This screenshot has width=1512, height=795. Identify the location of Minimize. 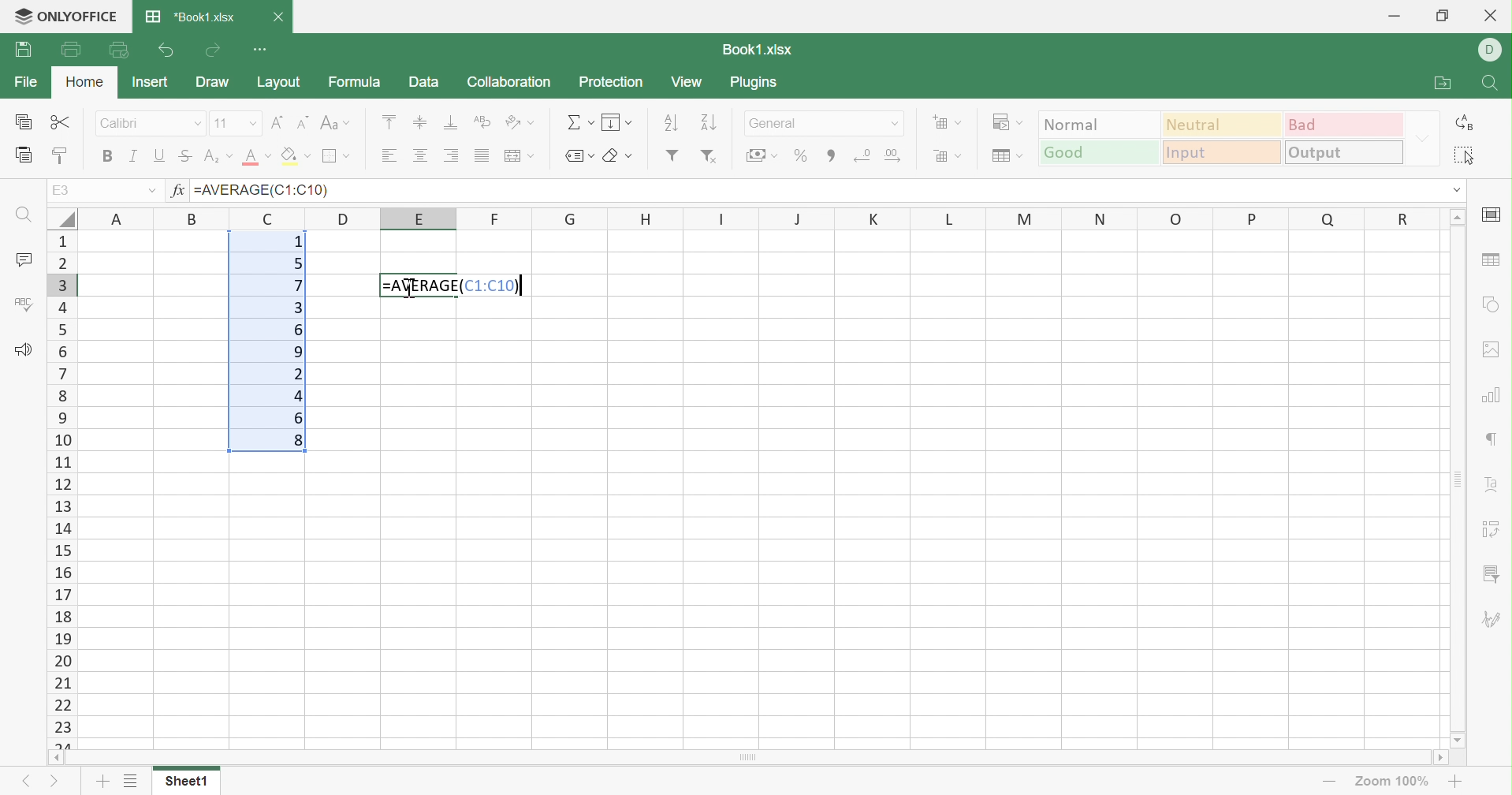
(1395, 17).